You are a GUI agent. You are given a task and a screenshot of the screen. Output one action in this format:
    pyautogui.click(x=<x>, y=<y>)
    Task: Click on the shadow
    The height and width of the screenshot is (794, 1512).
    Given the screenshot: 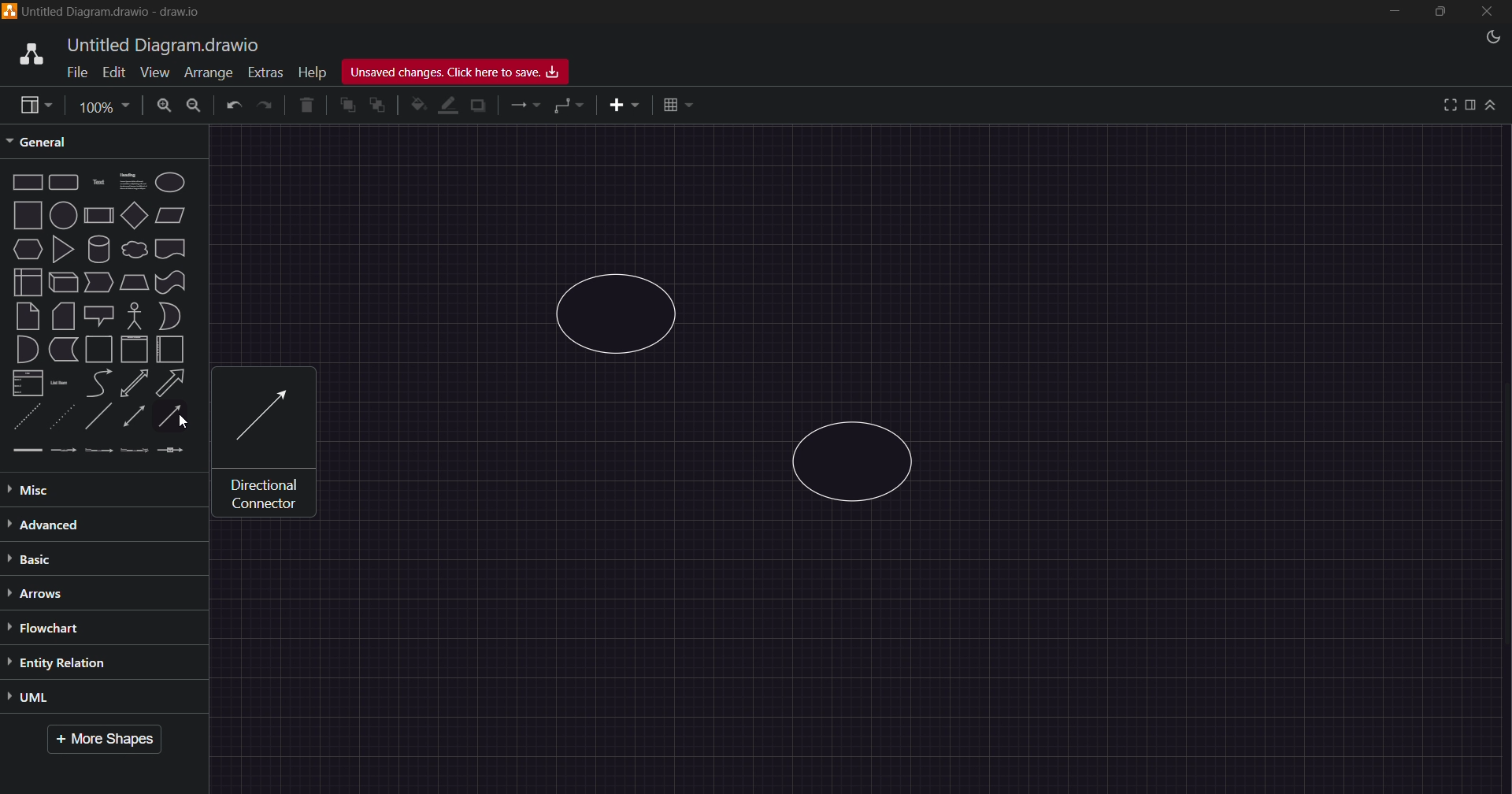 What is the action you would take?
    pyautogui.click(x=481, y=105)
    